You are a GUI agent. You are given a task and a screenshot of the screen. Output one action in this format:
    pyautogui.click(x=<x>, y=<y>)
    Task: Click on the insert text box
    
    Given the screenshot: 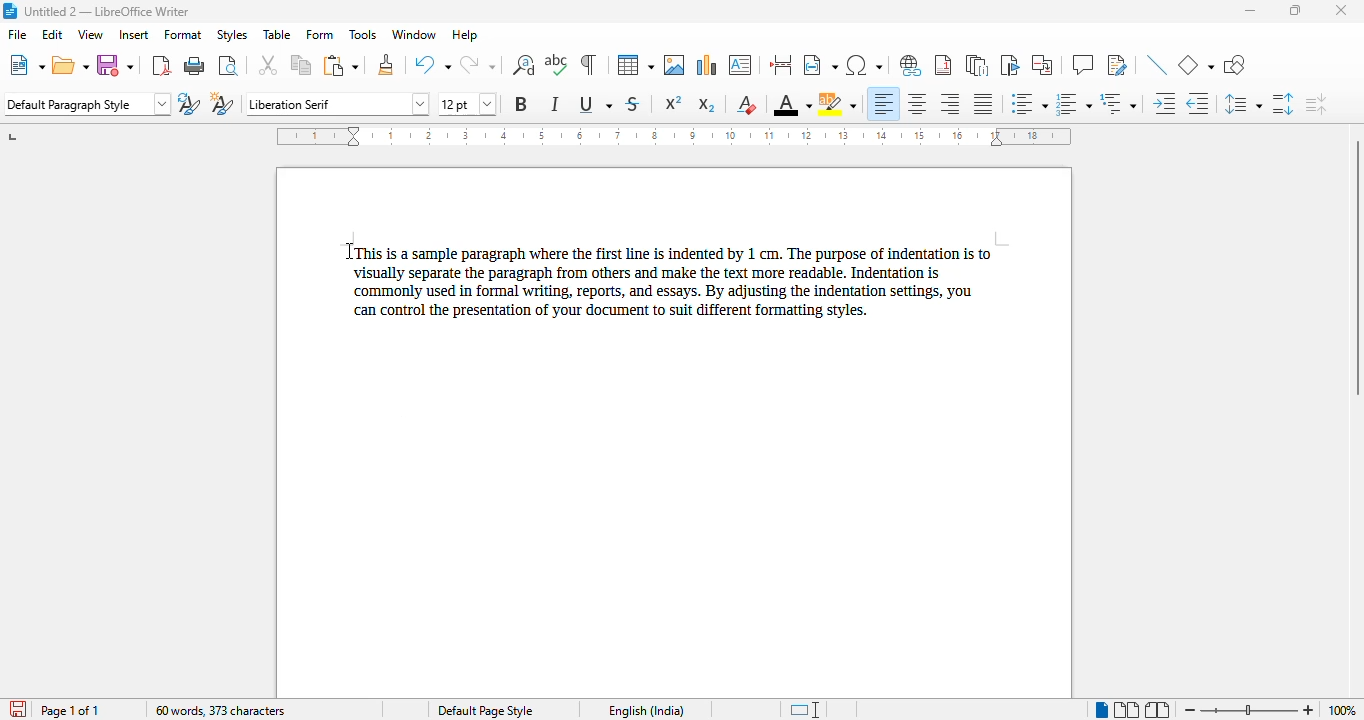 What is the action you would take?
    pyautogui.click(x=742, y=65)
    